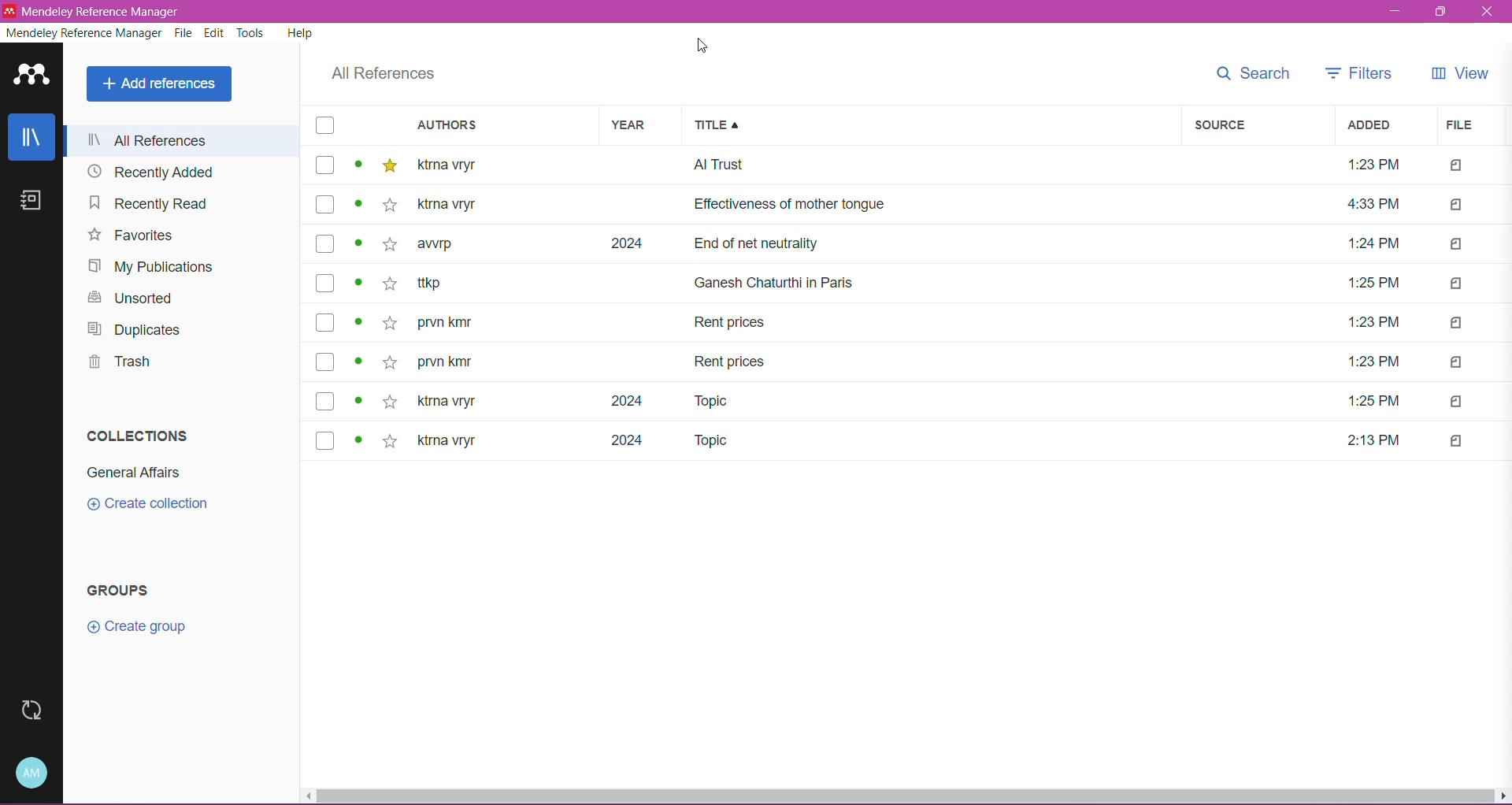 This screenshot has height=805, width=1512. Describe the element at coordinates (909, 441) in the screenshot. I see `ktrna vryr 2024 Topic 2:13PM` at that location.